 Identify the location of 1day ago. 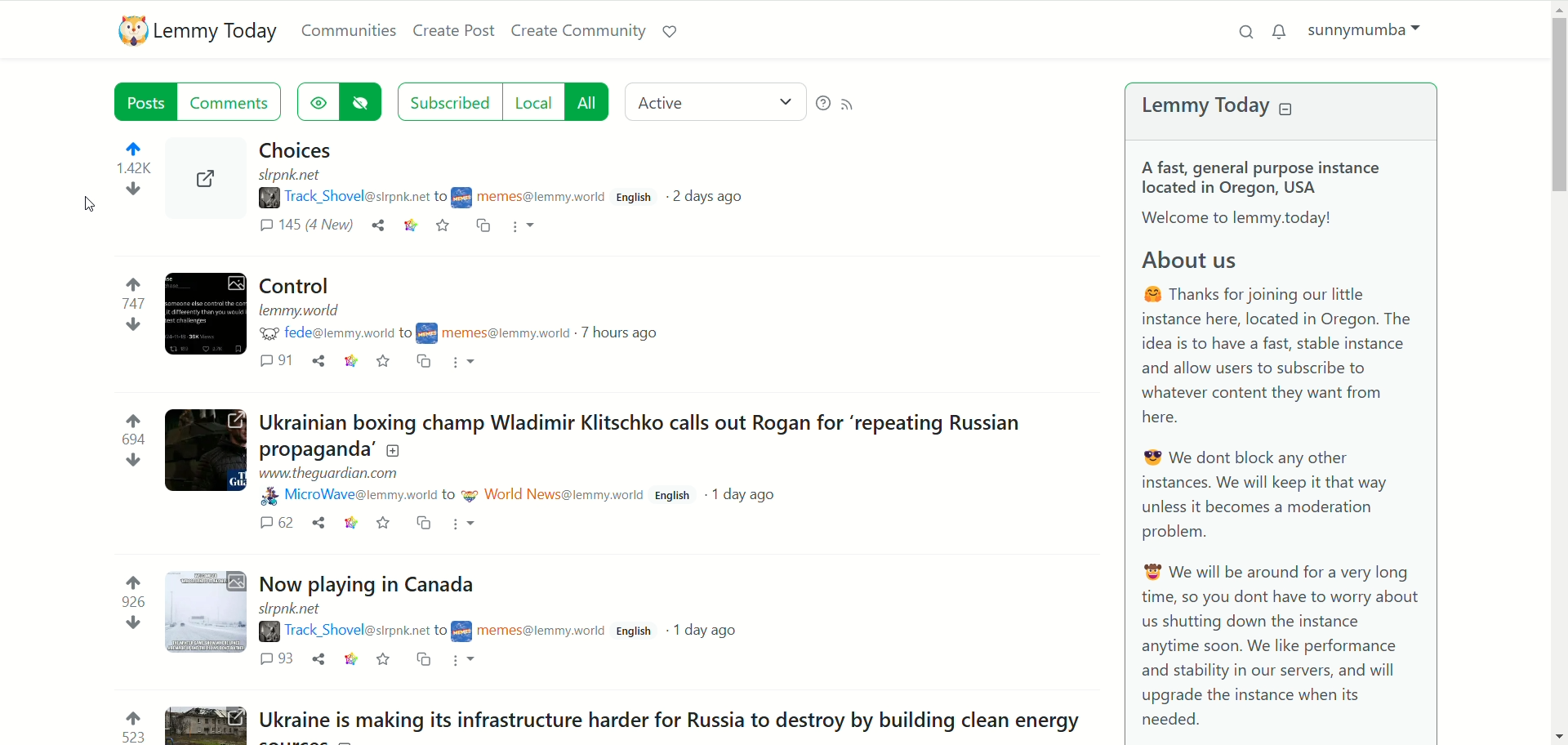
(706, 628).